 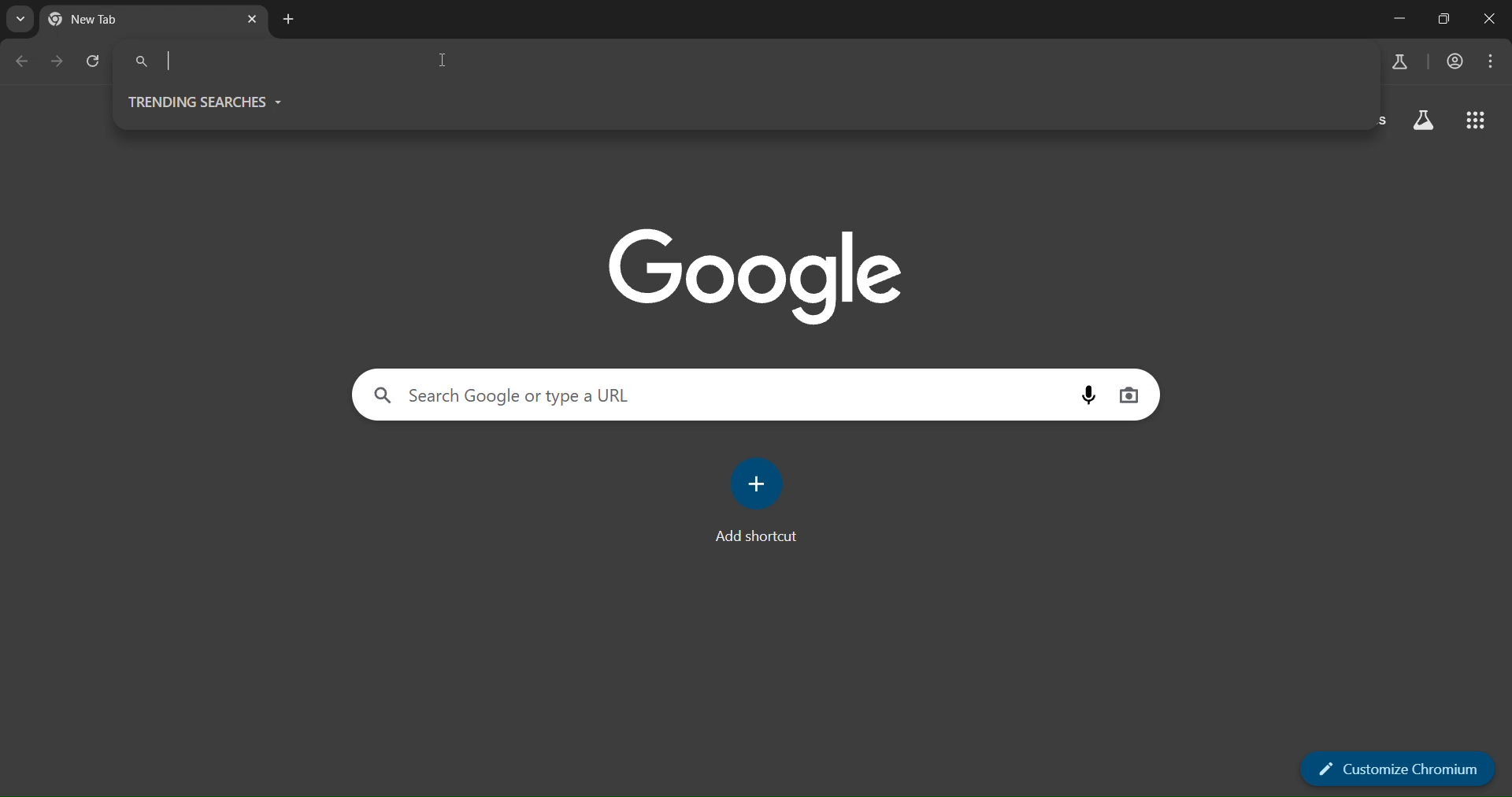 I want to click on current tab, so click(x=110, y=19).